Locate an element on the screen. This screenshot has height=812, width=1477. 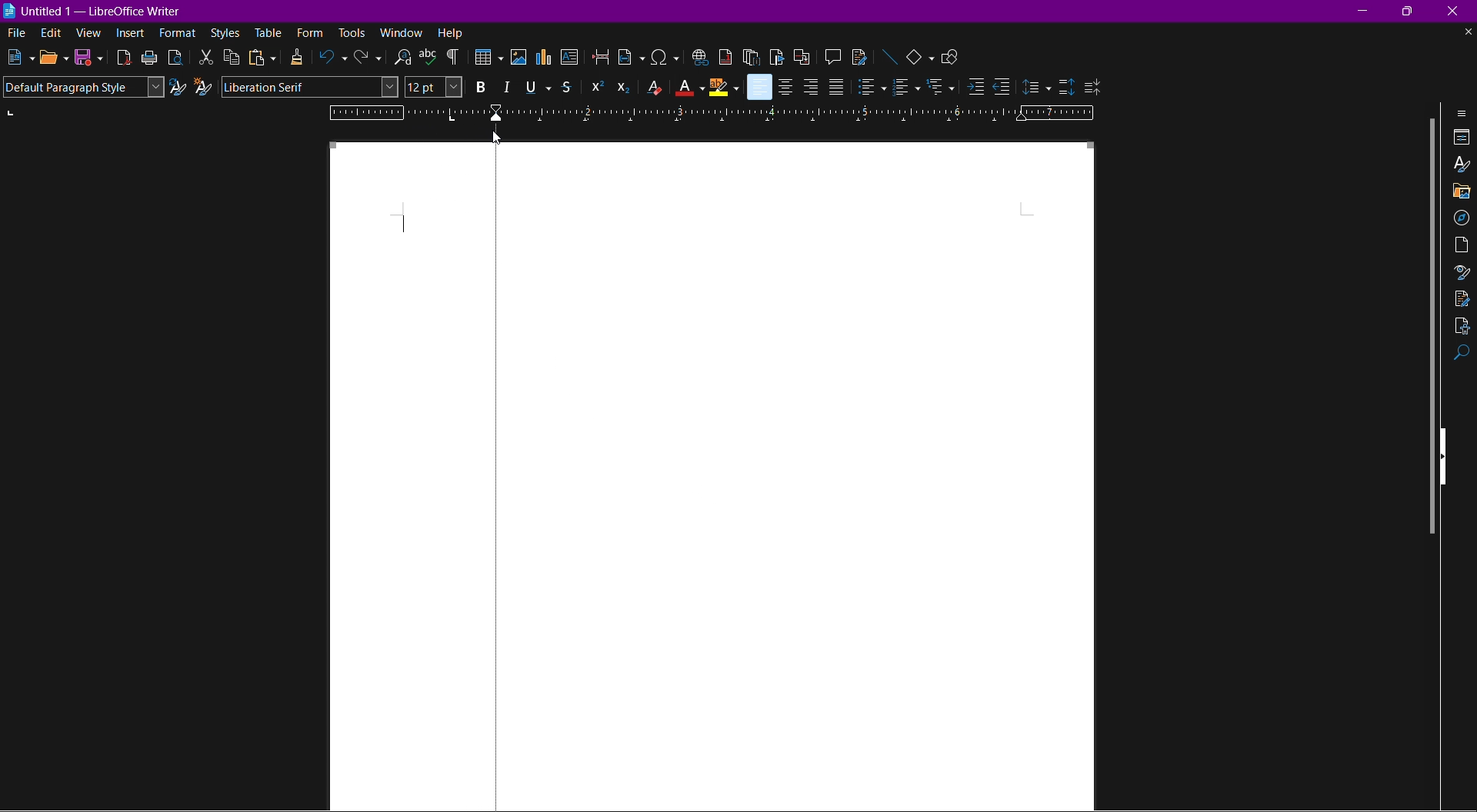
table is located at coordinates (269, 32).